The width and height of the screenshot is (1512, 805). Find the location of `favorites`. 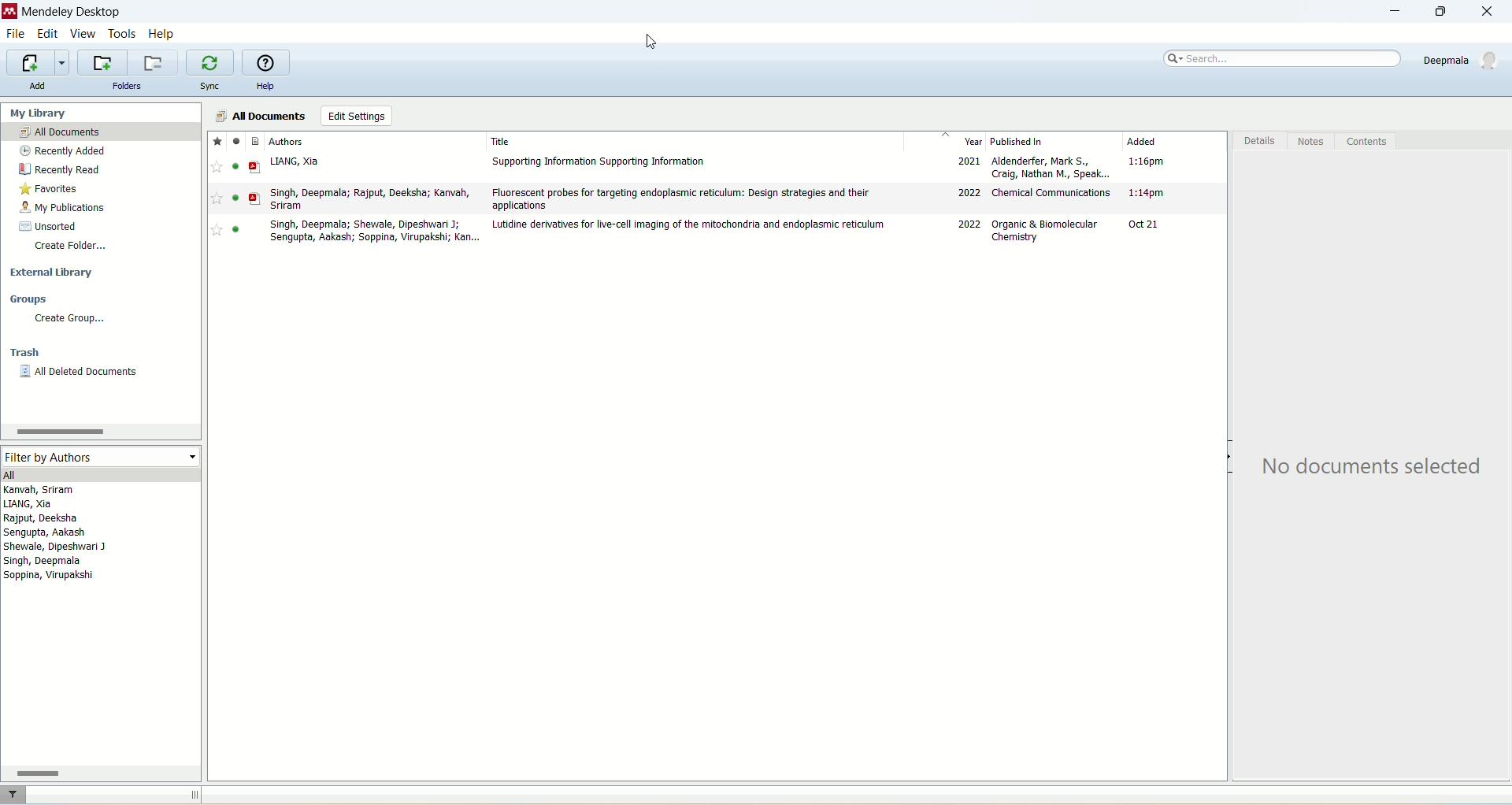

favorites is located at coordinates (49, 189).